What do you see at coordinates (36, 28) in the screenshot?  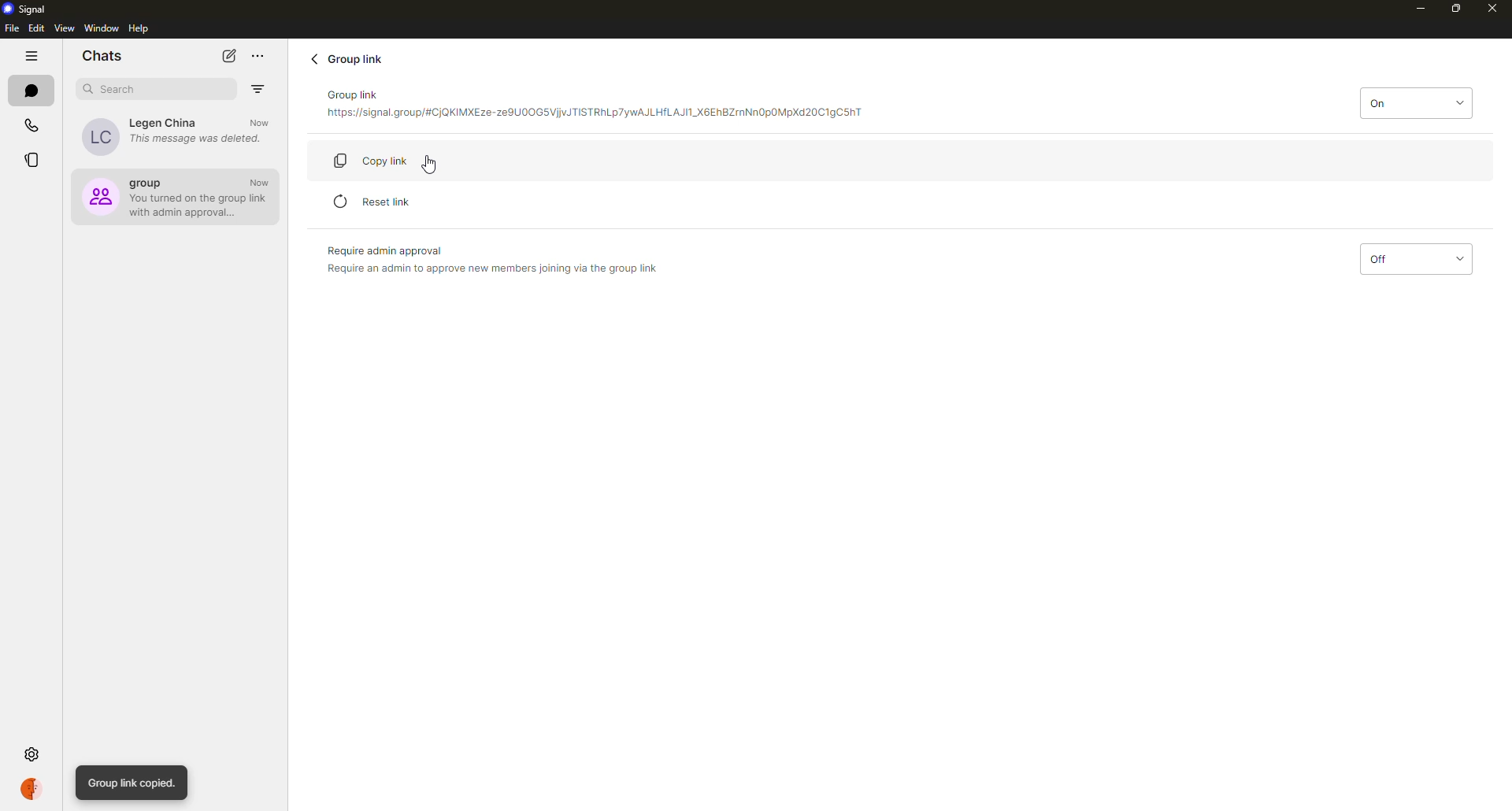 I see `edit` at bounding box center [36, 28].